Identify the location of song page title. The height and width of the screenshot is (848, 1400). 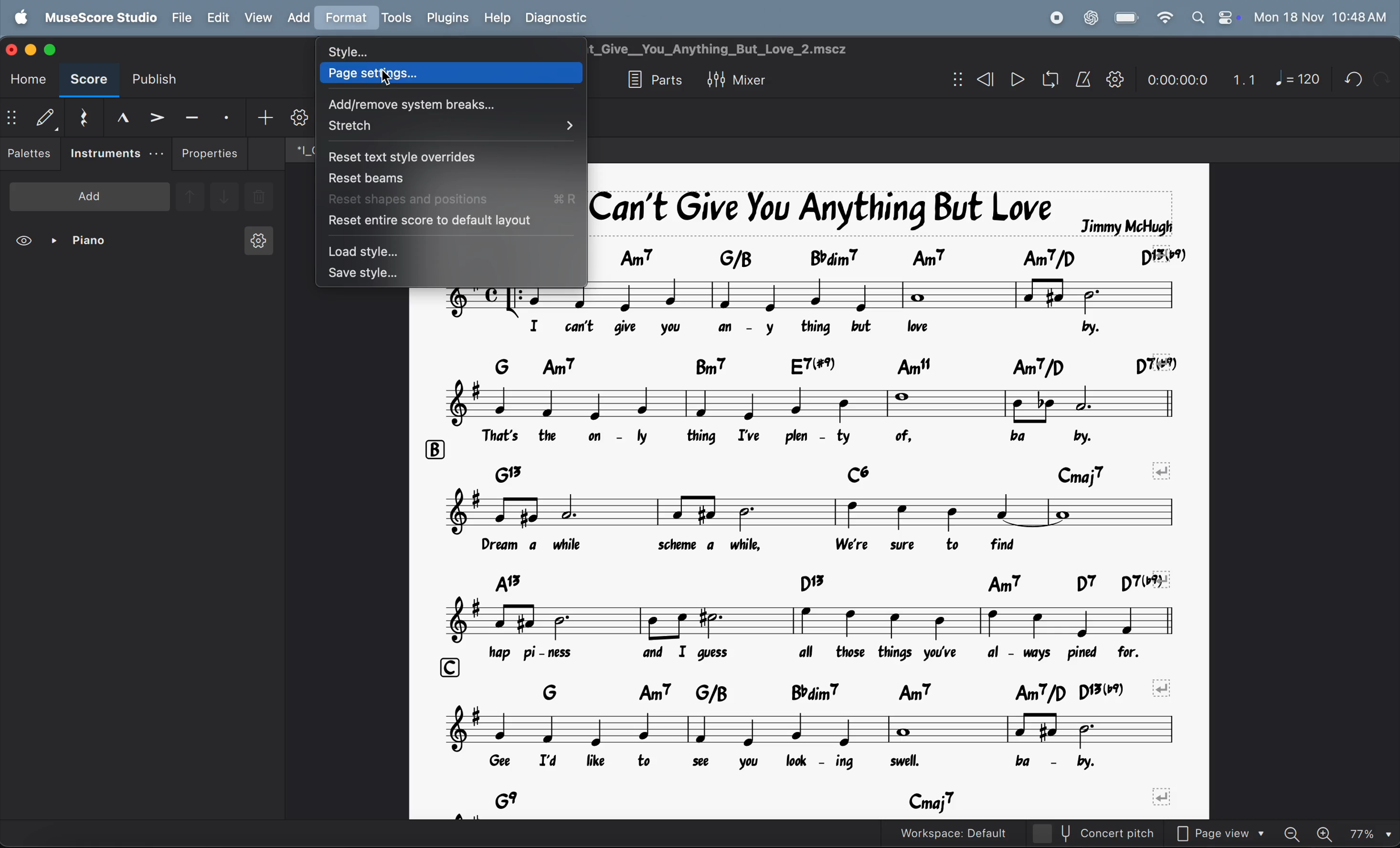
(744, 49).